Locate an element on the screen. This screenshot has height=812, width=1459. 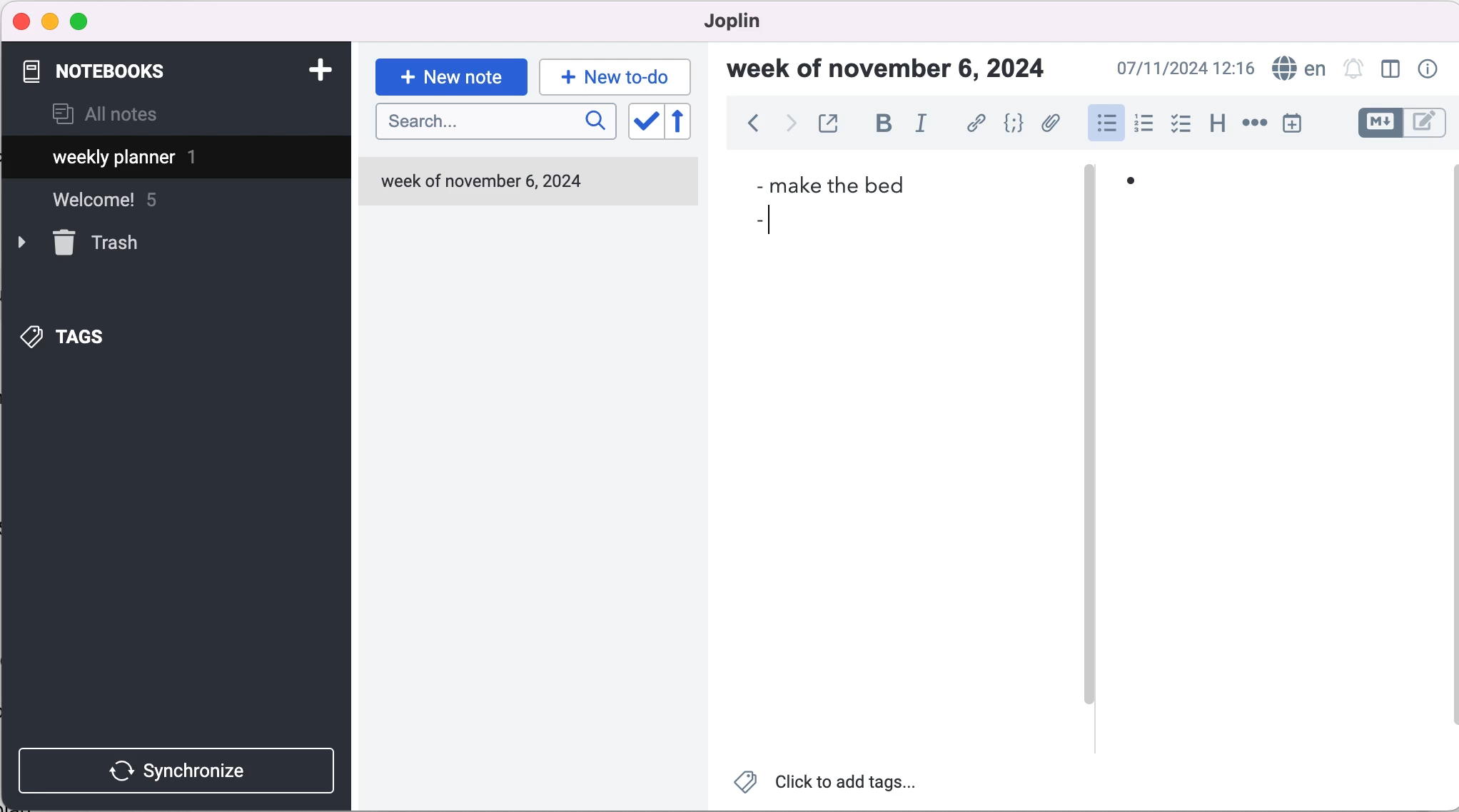
bold is located at coordinates (883, 124).